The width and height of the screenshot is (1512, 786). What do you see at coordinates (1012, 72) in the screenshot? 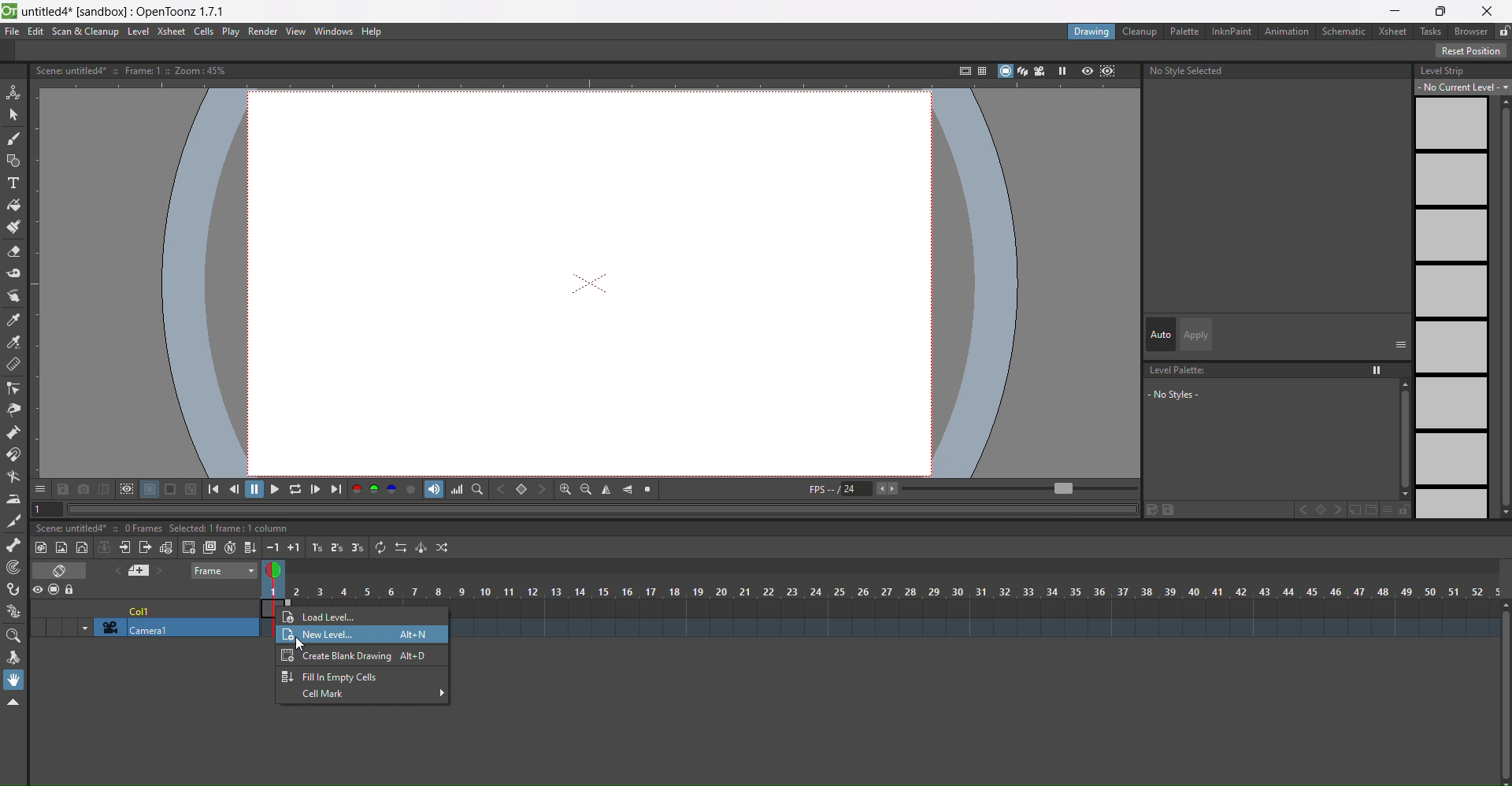
I see `stand view` at bounding box center [1012, 72].